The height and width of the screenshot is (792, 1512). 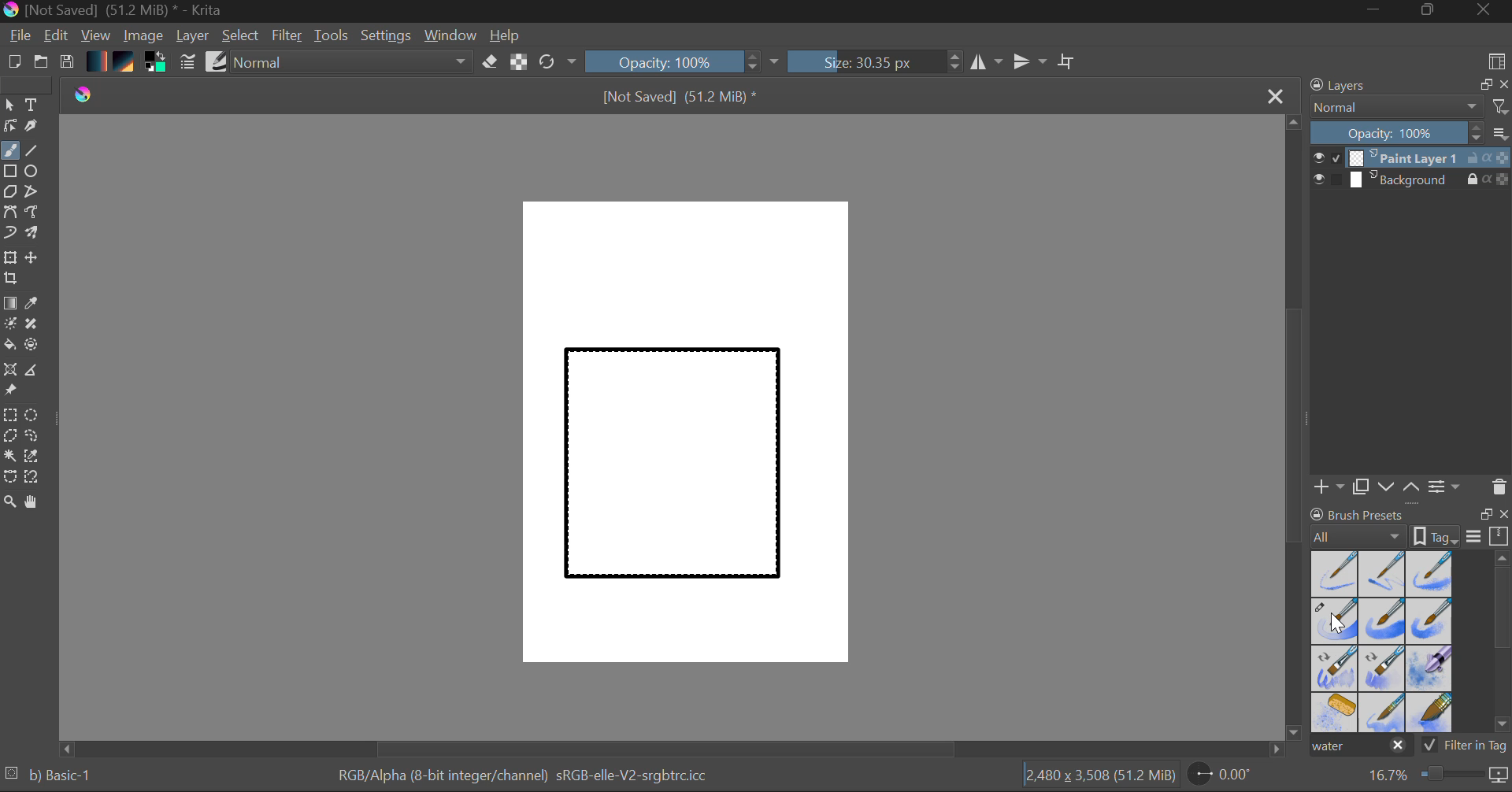 I want to click on Eyedropper, so click(x=35, y=304).